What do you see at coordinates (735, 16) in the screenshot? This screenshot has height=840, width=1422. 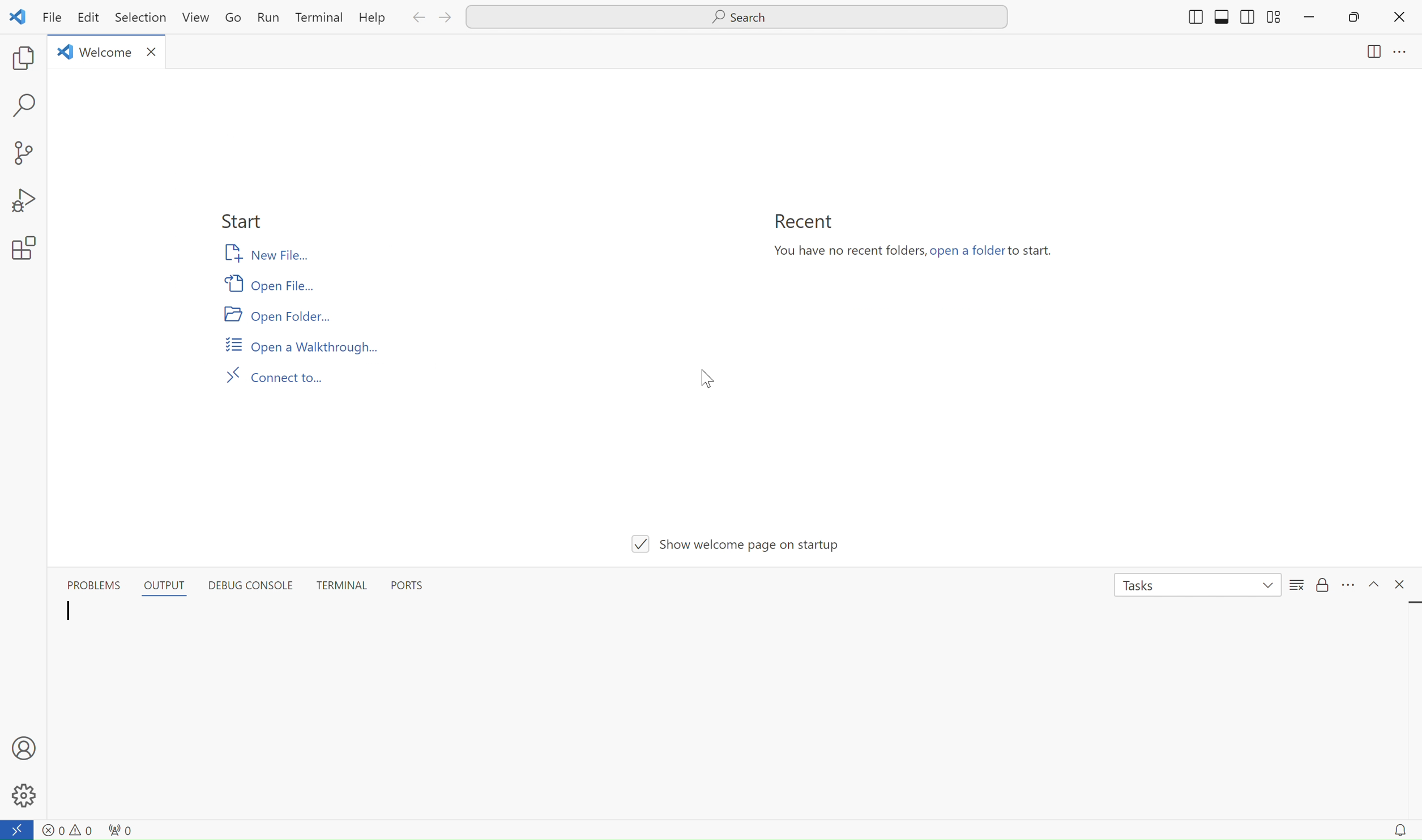 I see `Search` at bounding box center [735, 16].